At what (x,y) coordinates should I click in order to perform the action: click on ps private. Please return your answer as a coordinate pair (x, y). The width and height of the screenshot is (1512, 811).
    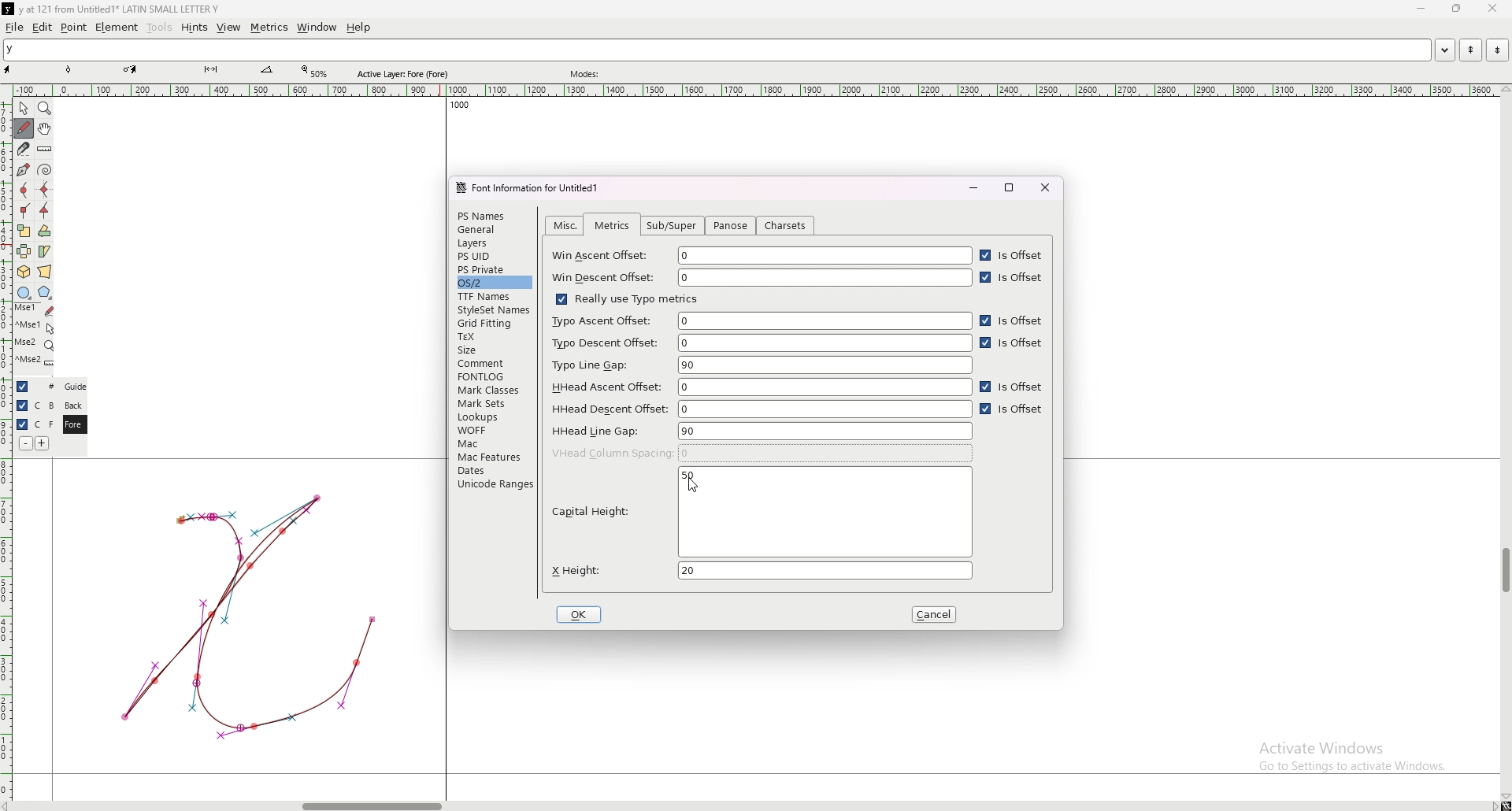
    Looking at the image, I should click on (495, 269).